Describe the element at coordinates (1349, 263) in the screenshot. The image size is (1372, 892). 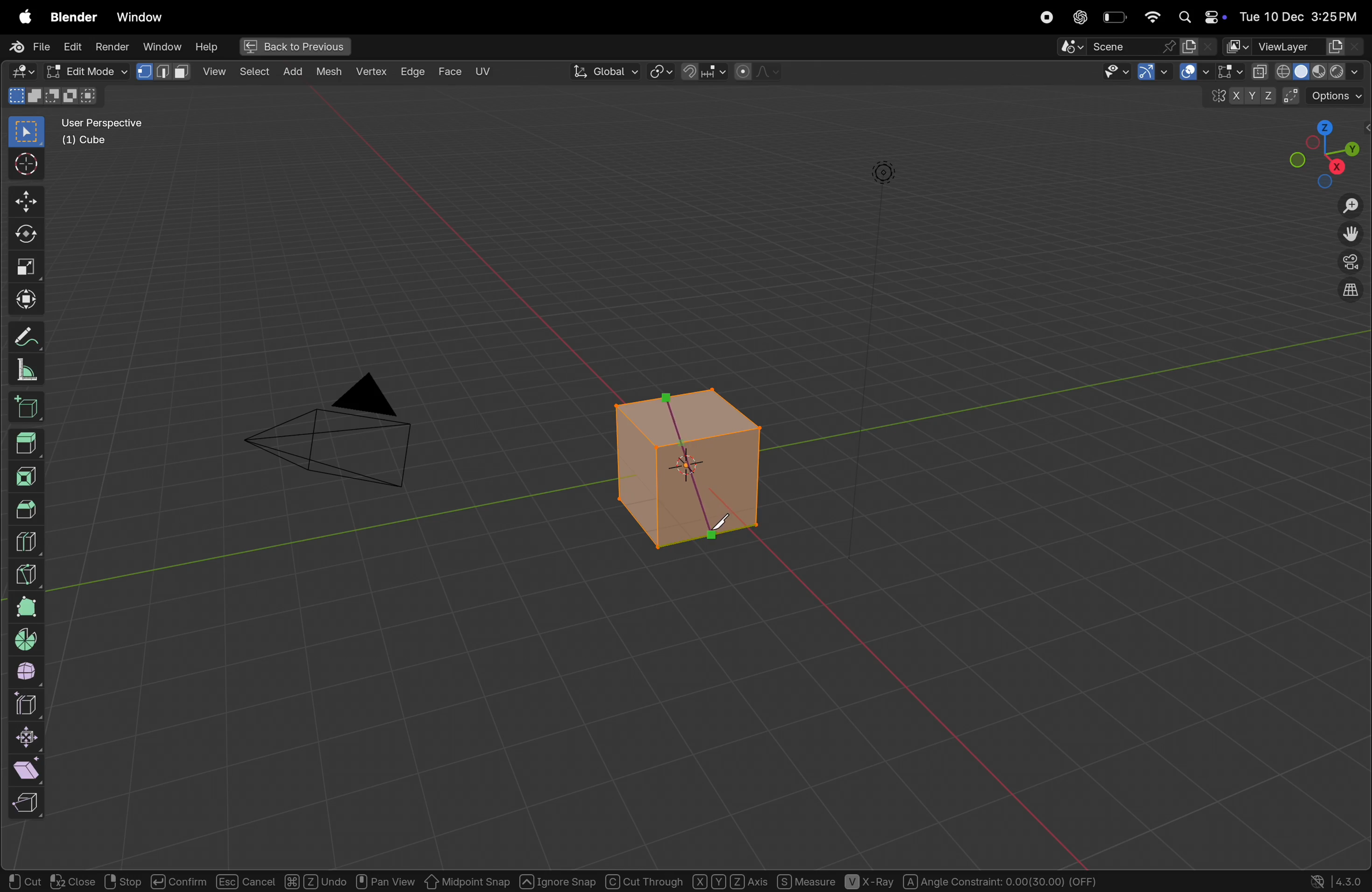
I see `toggle camera` at that location.